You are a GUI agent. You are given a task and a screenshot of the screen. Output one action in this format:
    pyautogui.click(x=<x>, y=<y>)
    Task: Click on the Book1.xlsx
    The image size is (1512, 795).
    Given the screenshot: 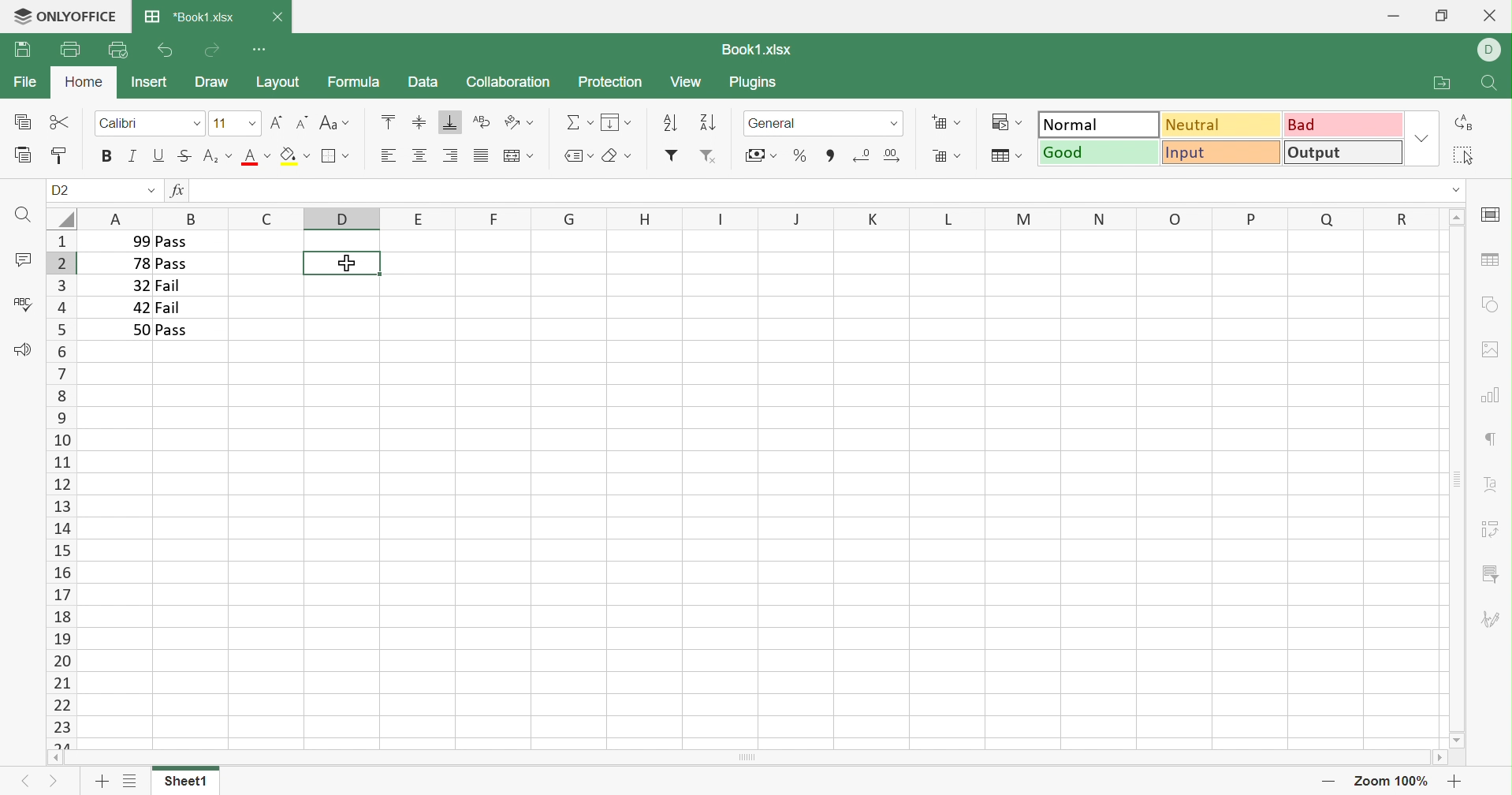 What is the action you would take?
    pyautogui.click(x=755, y=50)
    